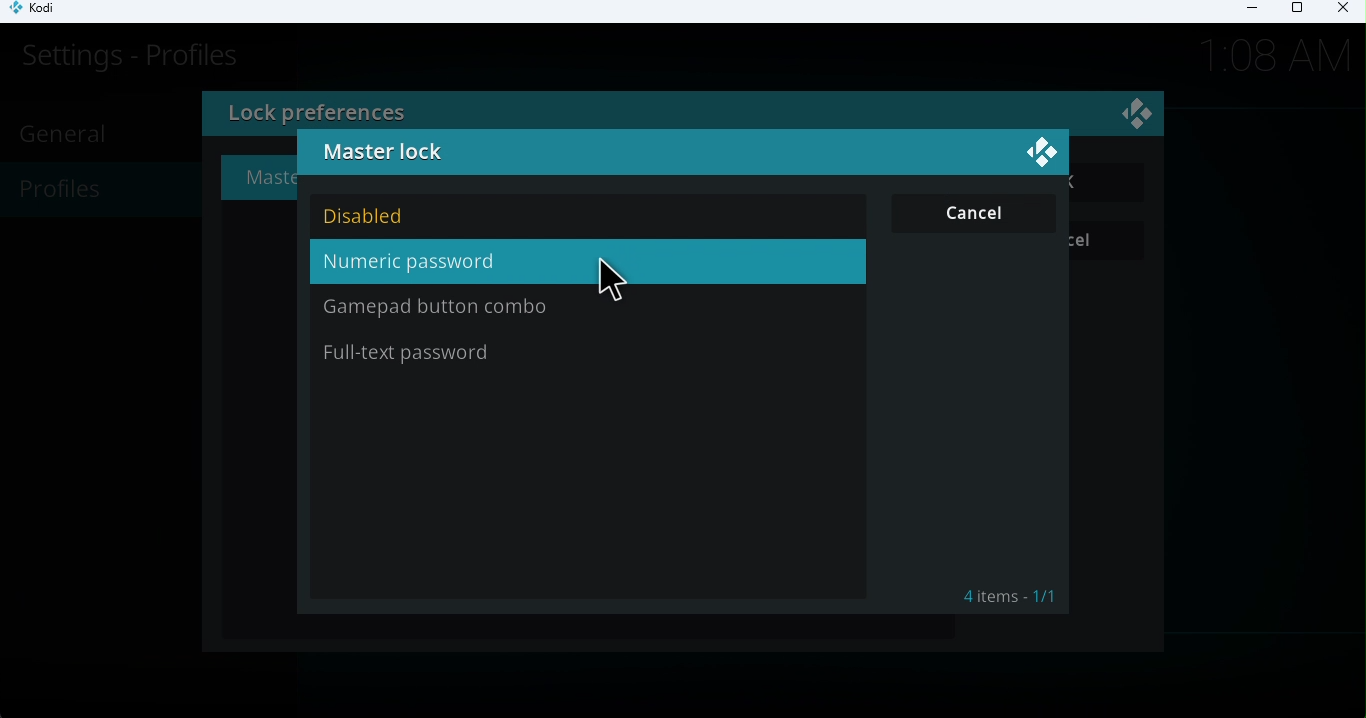 This screenshot has height=718, width=1366. Describe the element at coordinates (409, 354) in the screenshot. I see `Fill-text password` at that location.